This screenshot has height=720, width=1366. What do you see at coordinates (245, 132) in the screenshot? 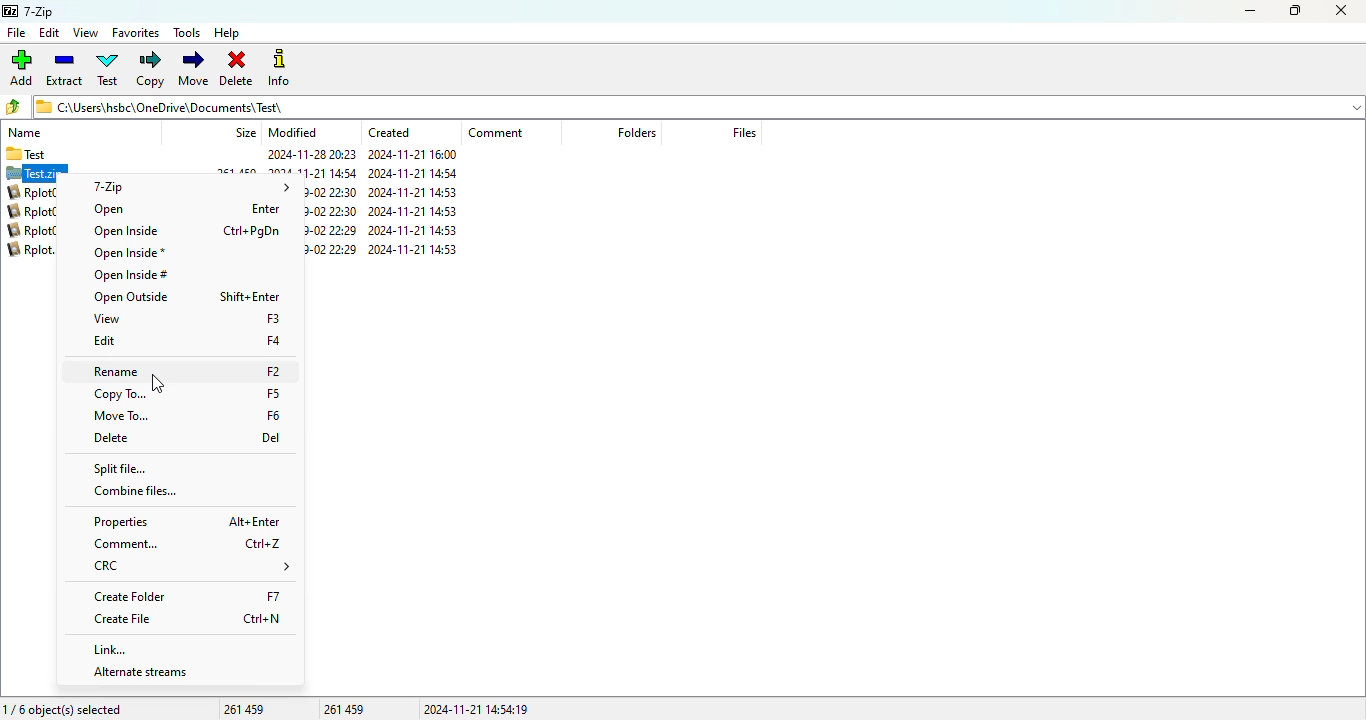
I see `size` at bounding box center [245, 132].